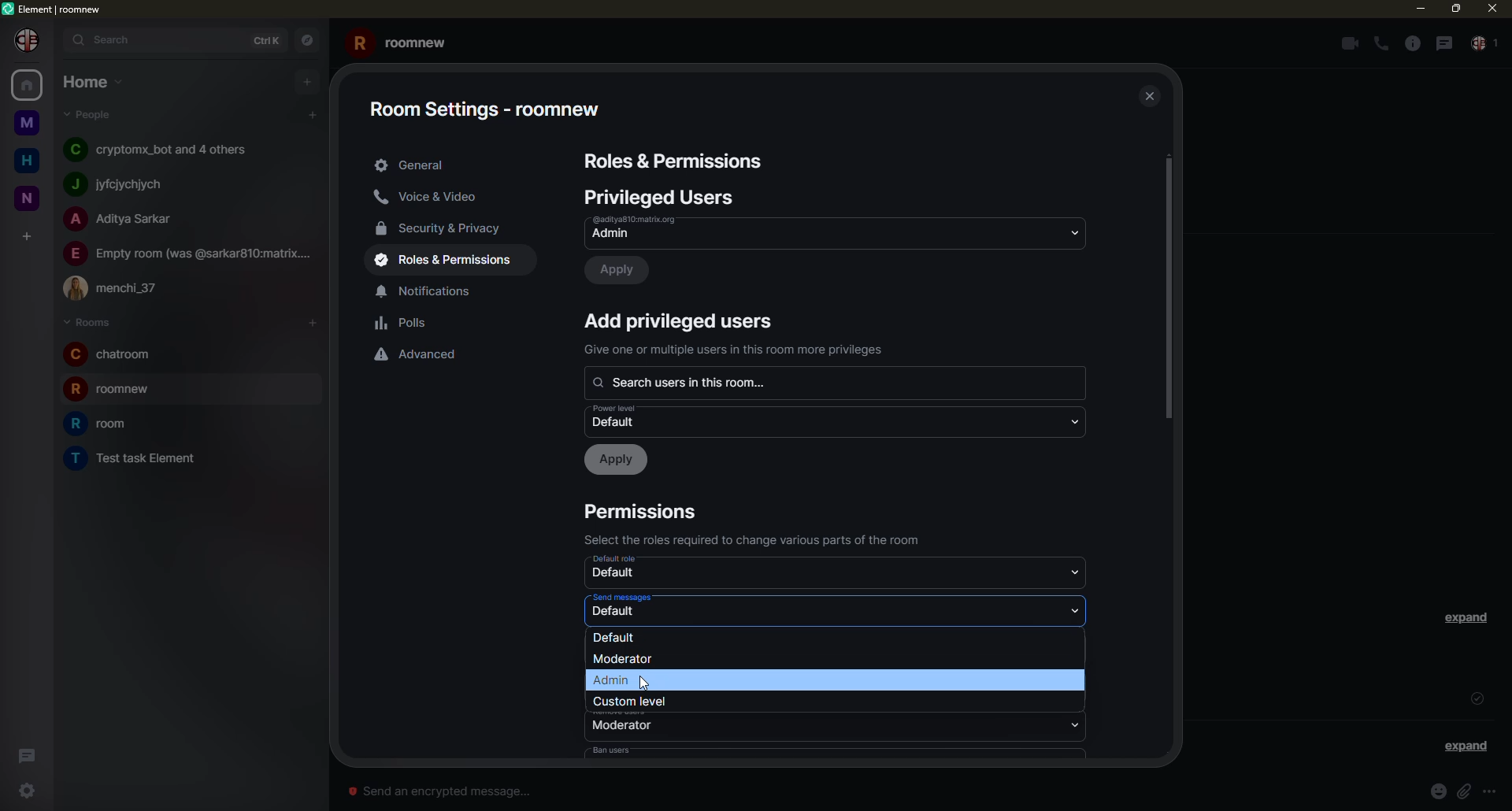 The width and height of the screenshot is (1512, 811). What do you see at coordinates (27, 161) in the screenshot?
I see `home` at bounding box center [27, 161].